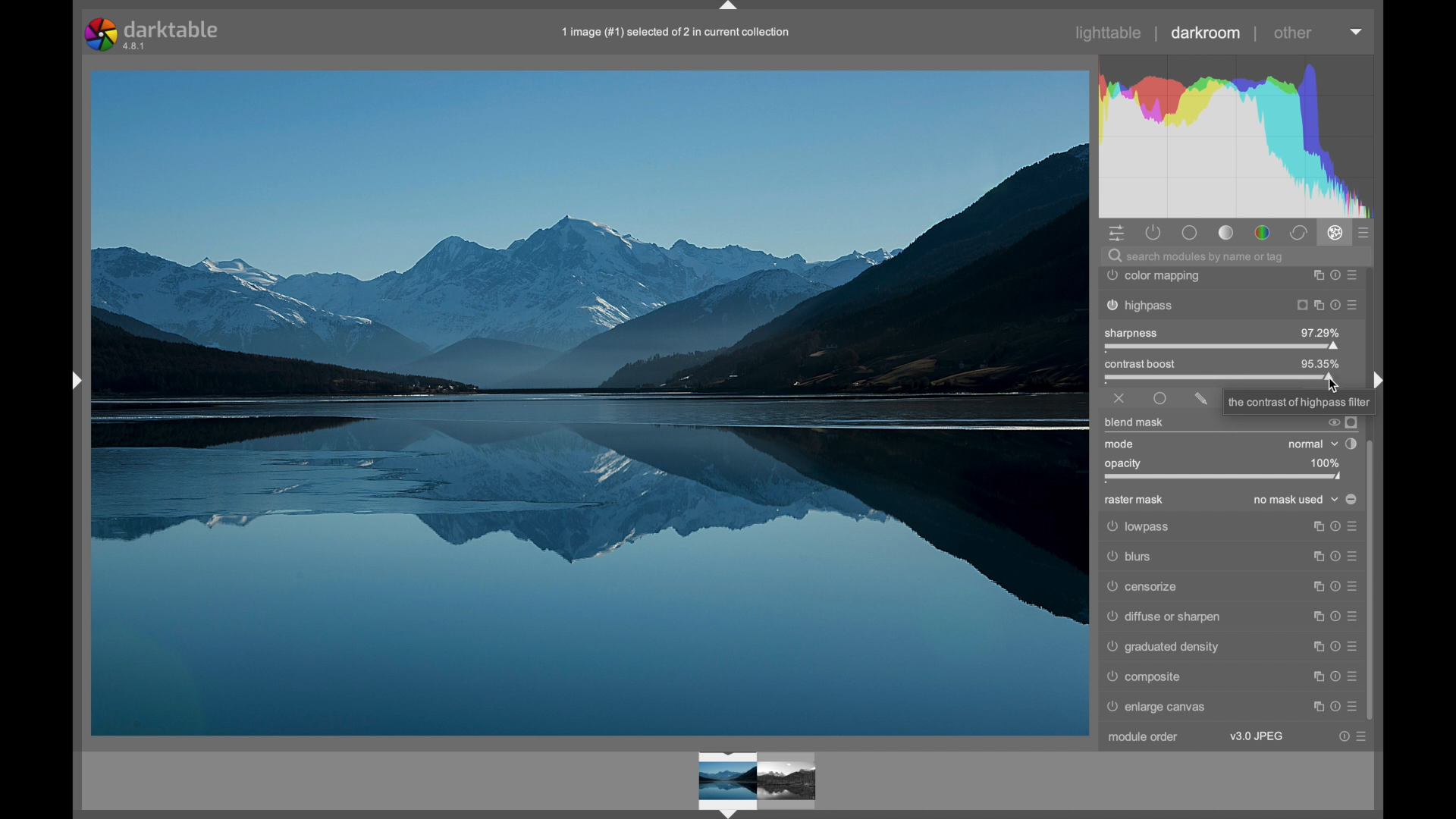 Image resolution: width=1456 pixels, height=819 pixels. Describe the element at coordinates (1335, 389) in the screenshot. I see `cursor` at that location.